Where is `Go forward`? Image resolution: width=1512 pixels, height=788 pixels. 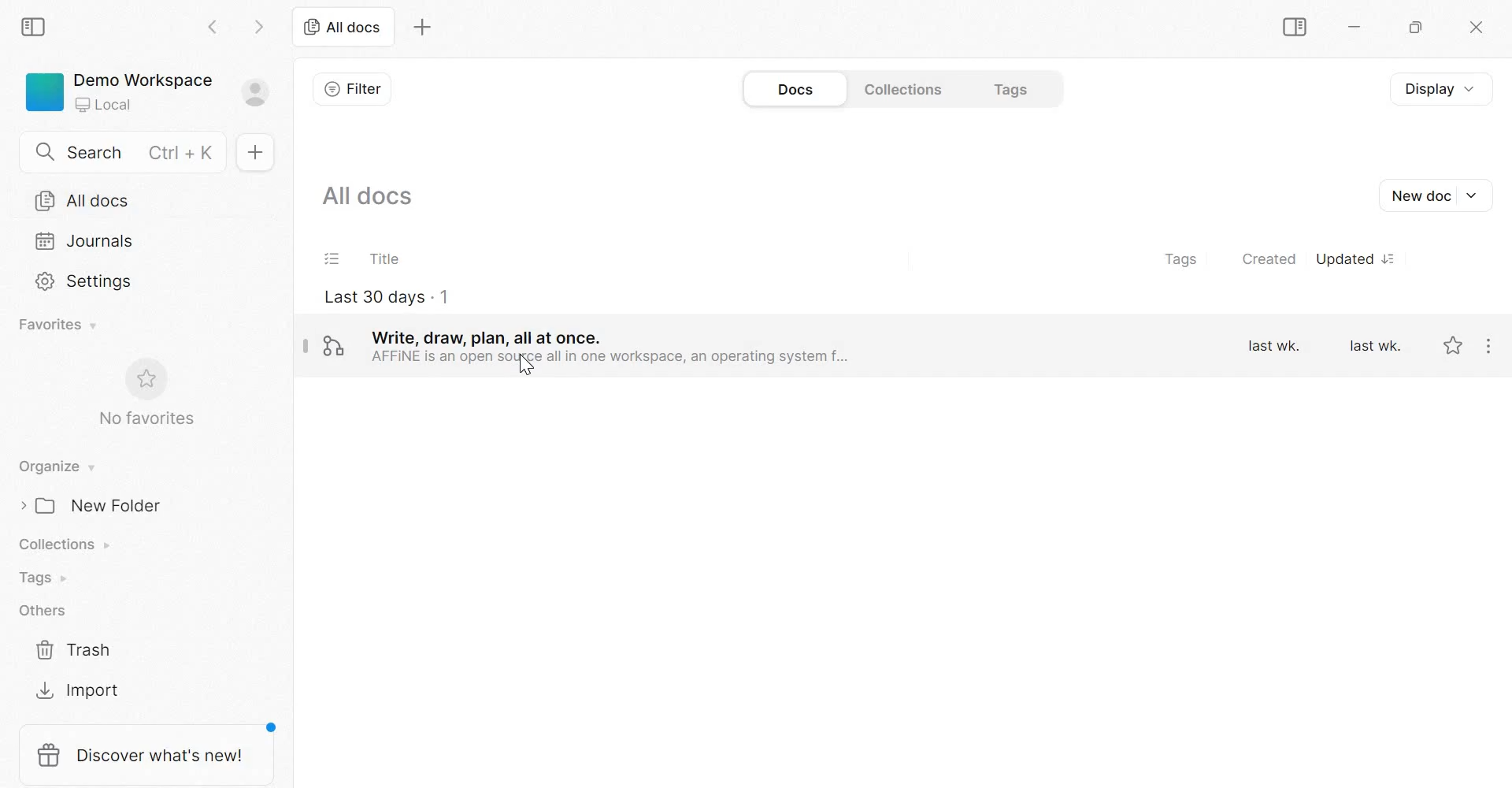
Go forward is located at coordinates (254, 31).